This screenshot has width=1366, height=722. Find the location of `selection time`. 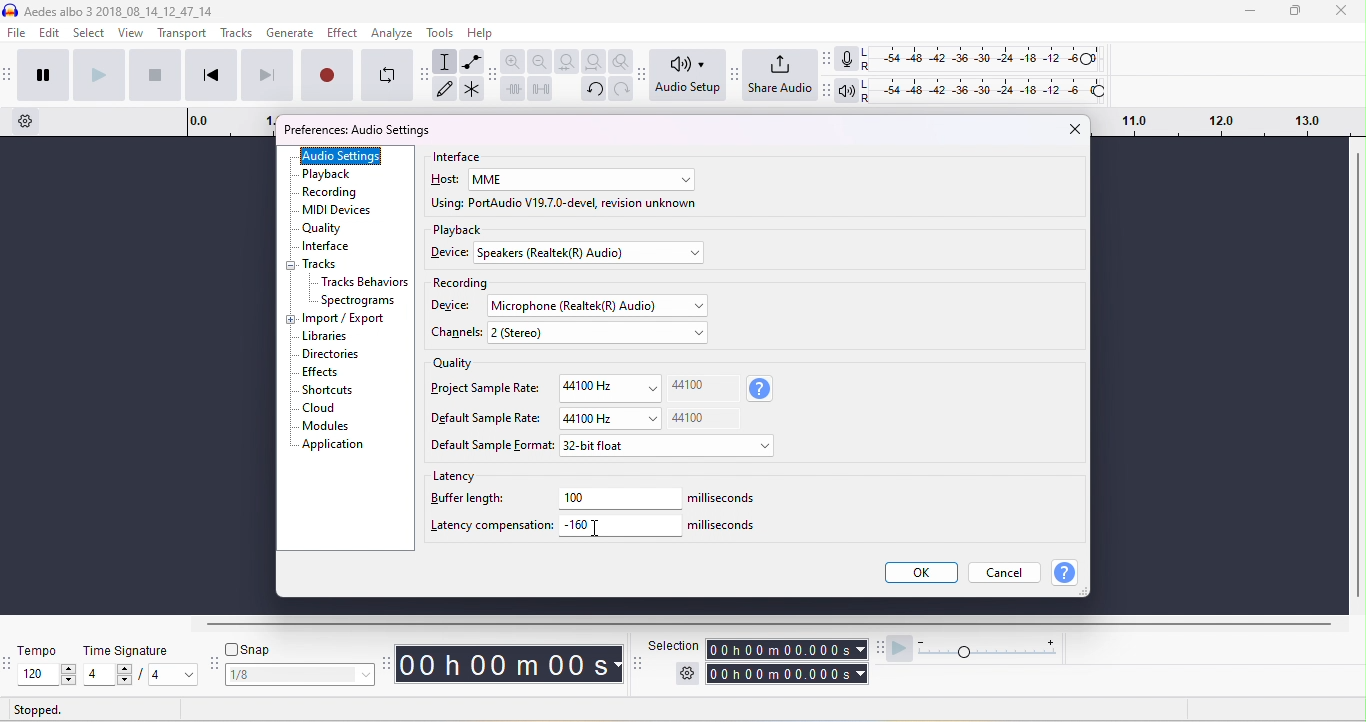

selection time is located at coordinates (778, 650).